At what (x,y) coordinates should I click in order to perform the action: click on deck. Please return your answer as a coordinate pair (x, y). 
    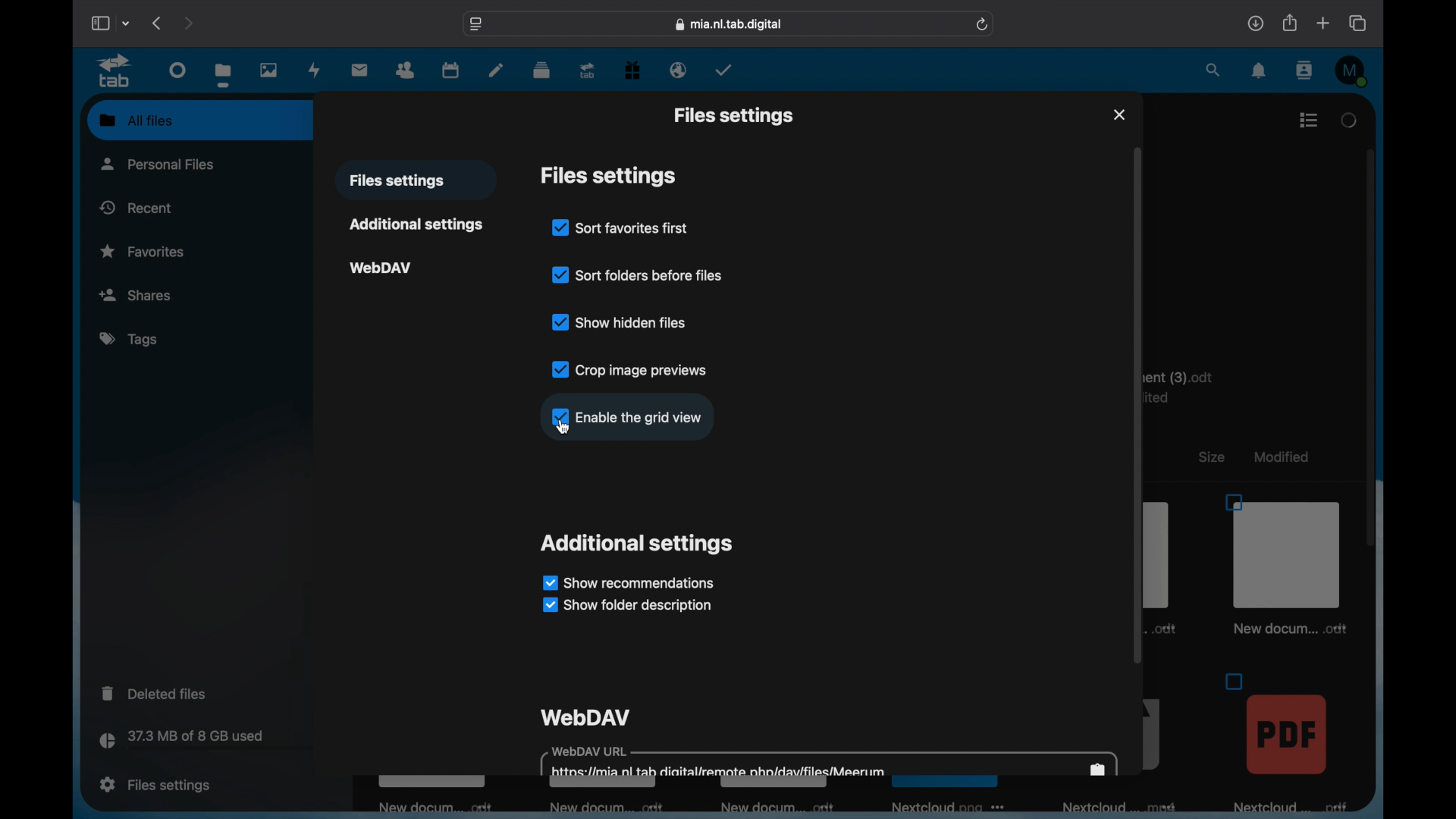
    Looking at the image, I should click on (541, 69).